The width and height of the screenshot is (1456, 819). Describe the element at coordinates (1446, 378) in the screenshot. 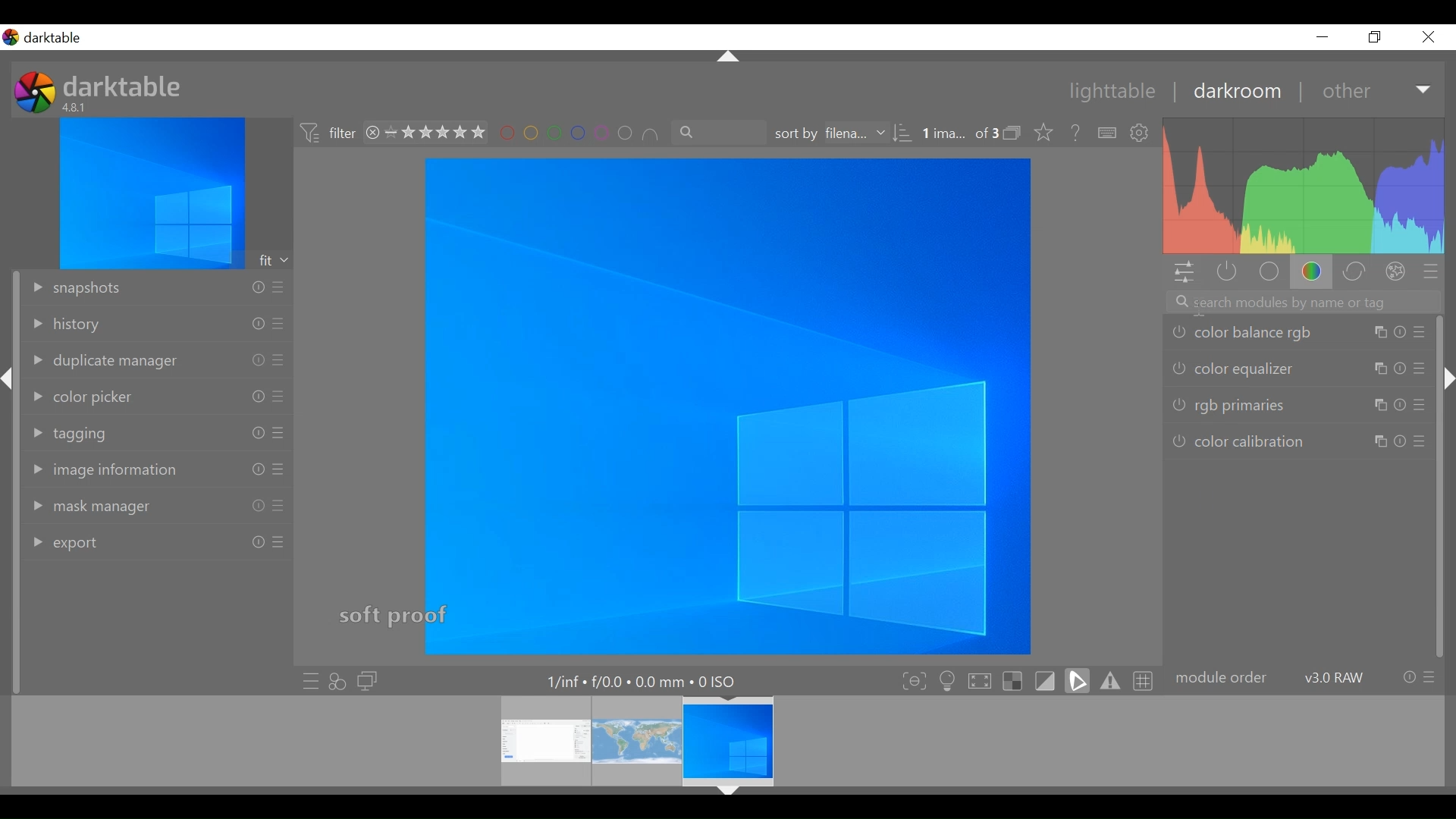

I see `Collapse ` at that location.